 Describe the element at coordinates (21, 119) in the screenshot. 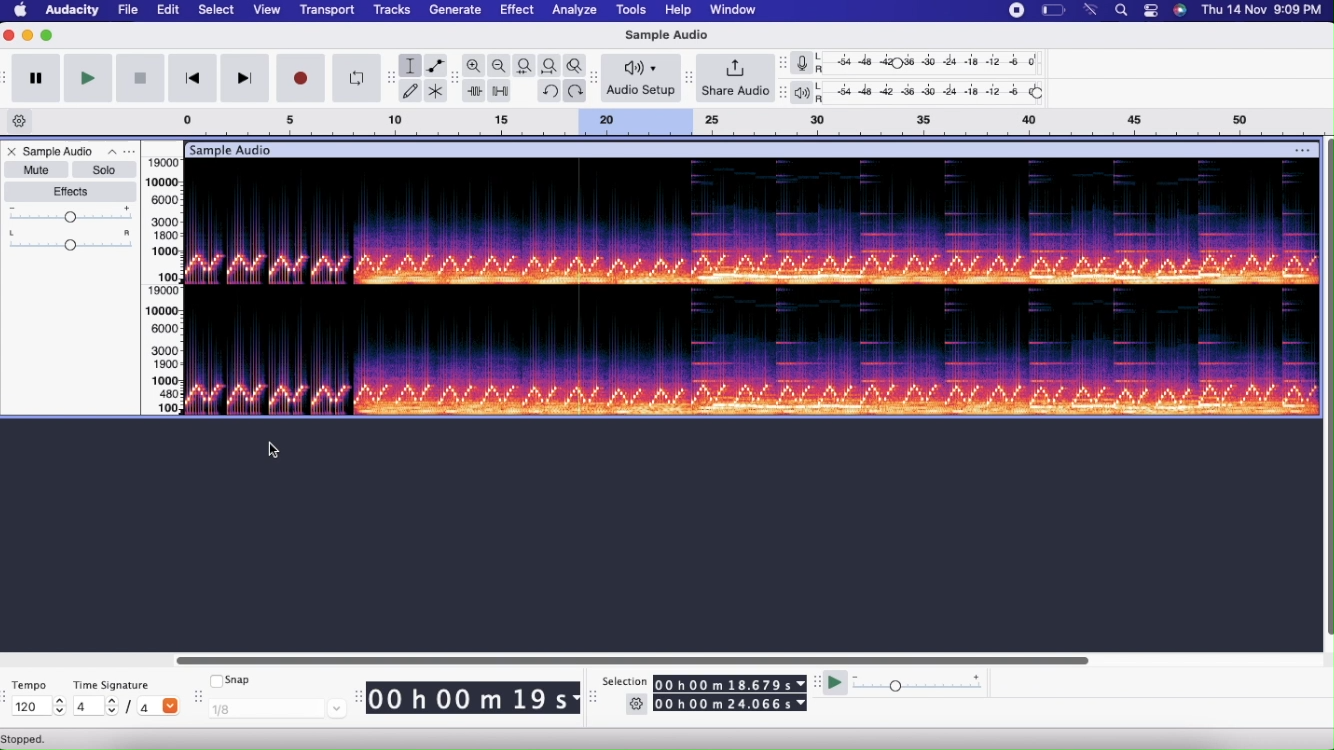

I see `Timeline options` at that location.